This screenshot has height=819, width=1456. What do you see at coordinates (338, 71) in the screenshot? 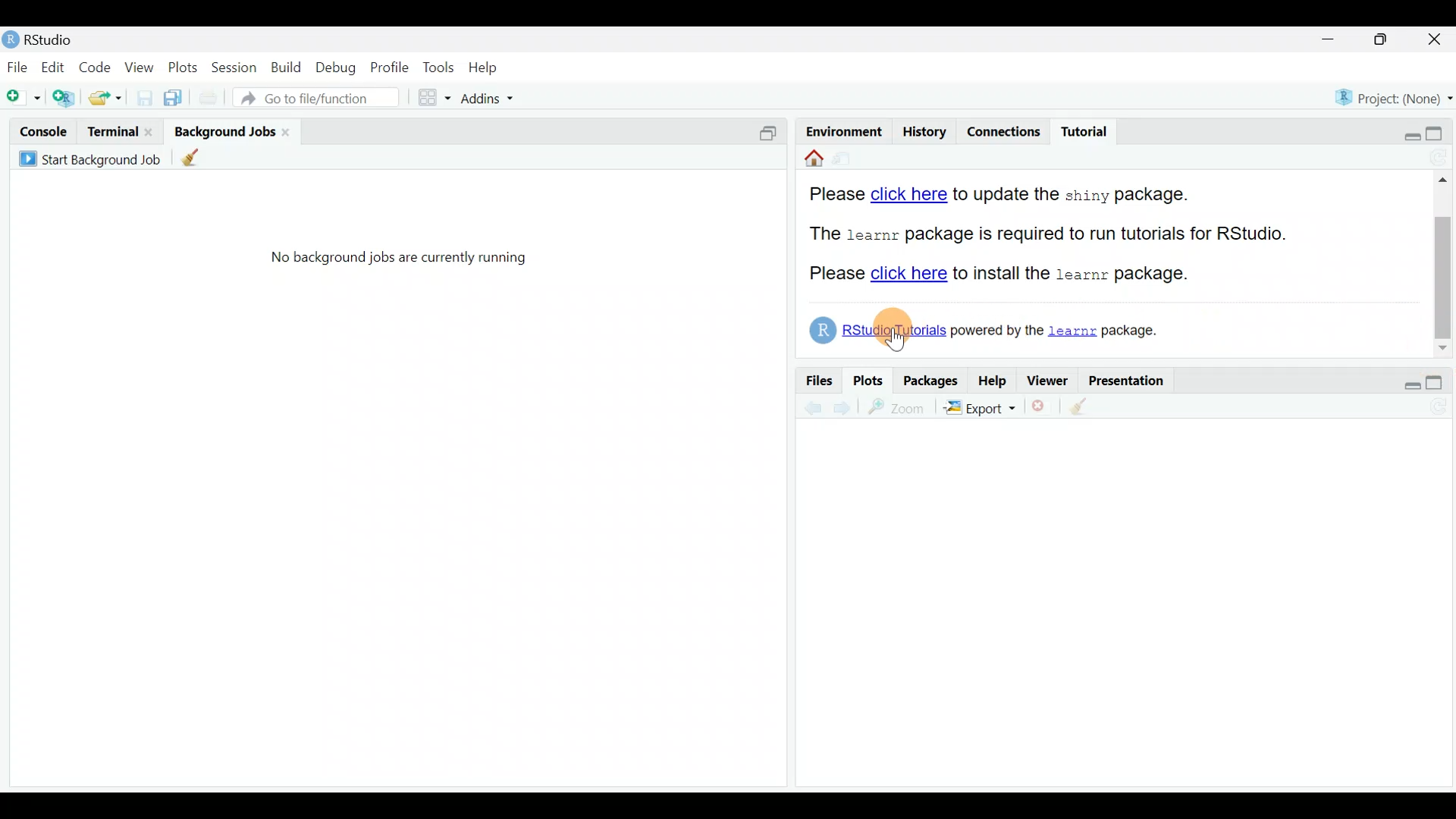
I see `Debug` at bounding box center [338, 71].